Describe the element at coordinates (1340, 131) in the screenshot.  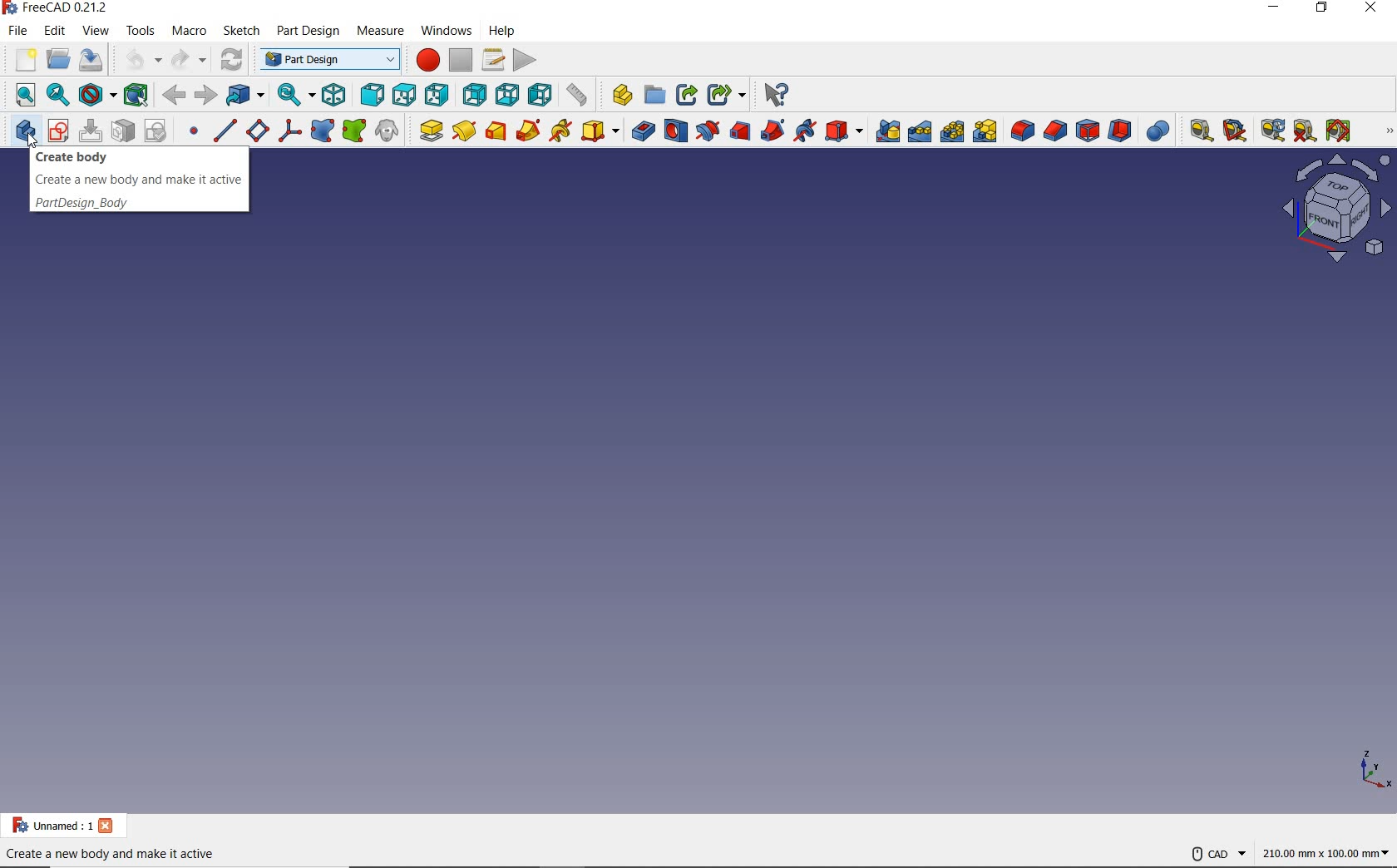
I see `TOGGLE ALL` at that location.